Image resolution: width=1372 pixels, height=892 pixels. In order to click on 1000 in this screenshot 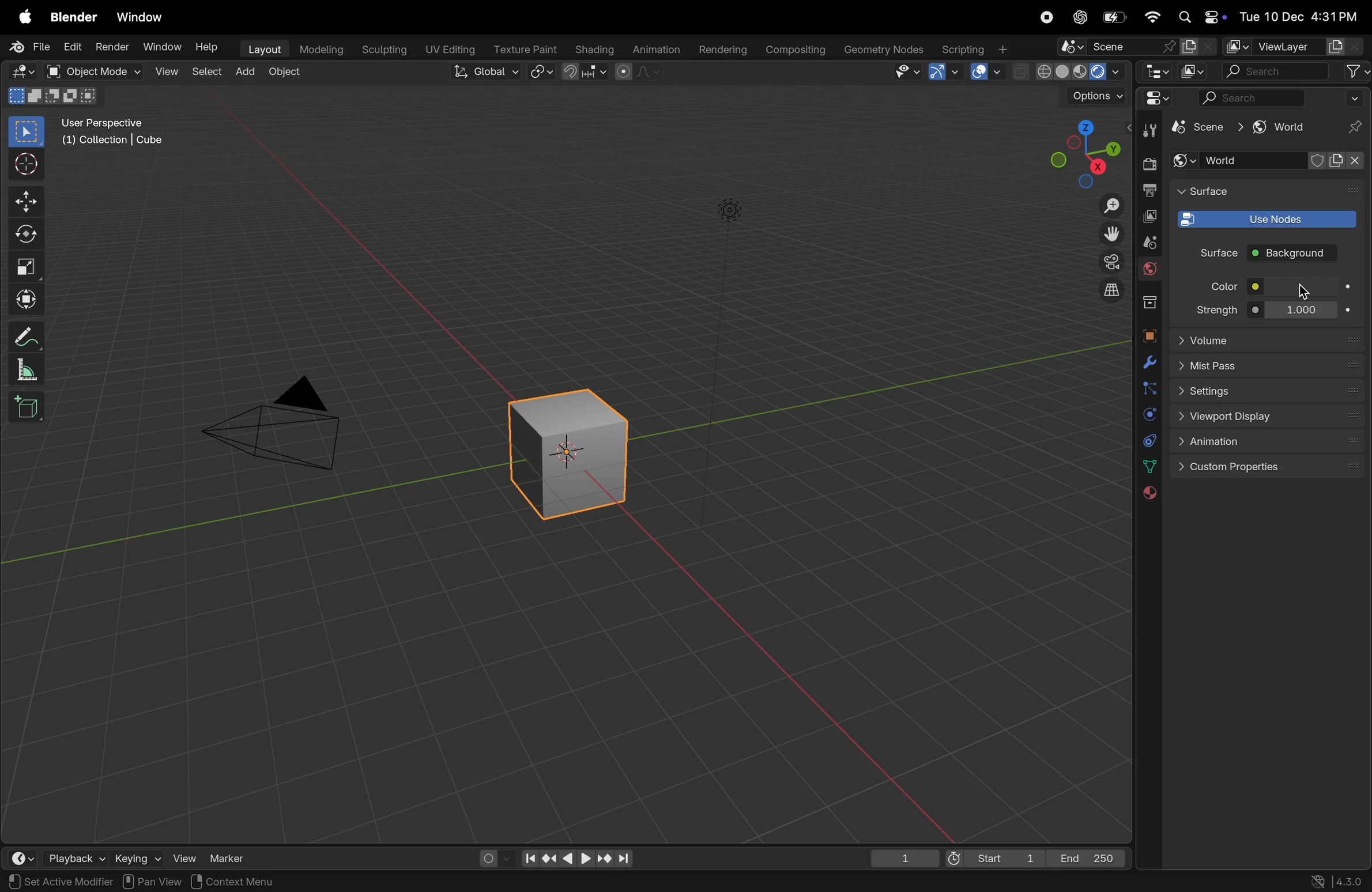, I will do `click(1299, 309)`.